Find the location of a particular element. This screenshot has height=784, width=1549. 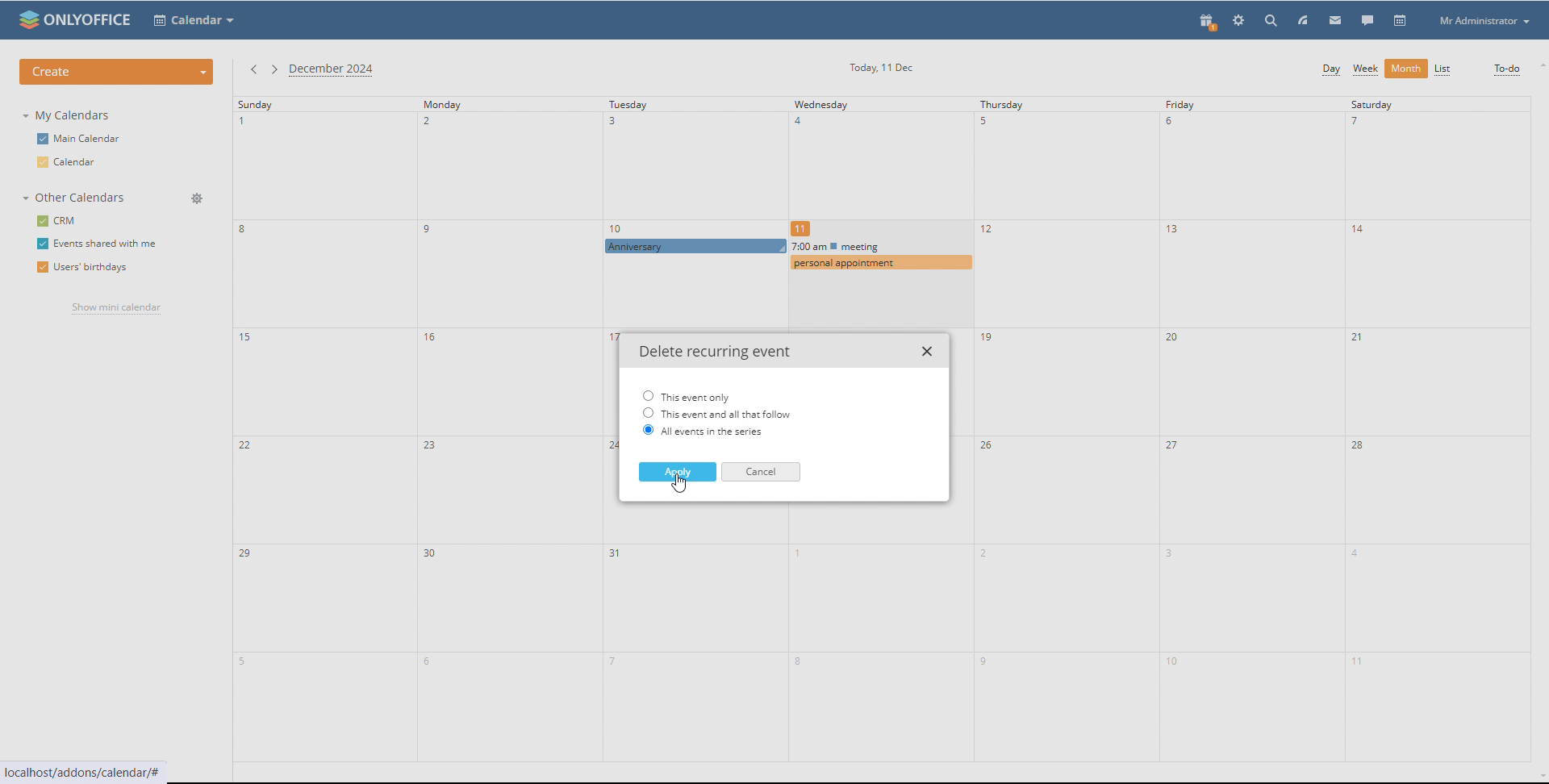

settings is located at coordinates (1239, 21).